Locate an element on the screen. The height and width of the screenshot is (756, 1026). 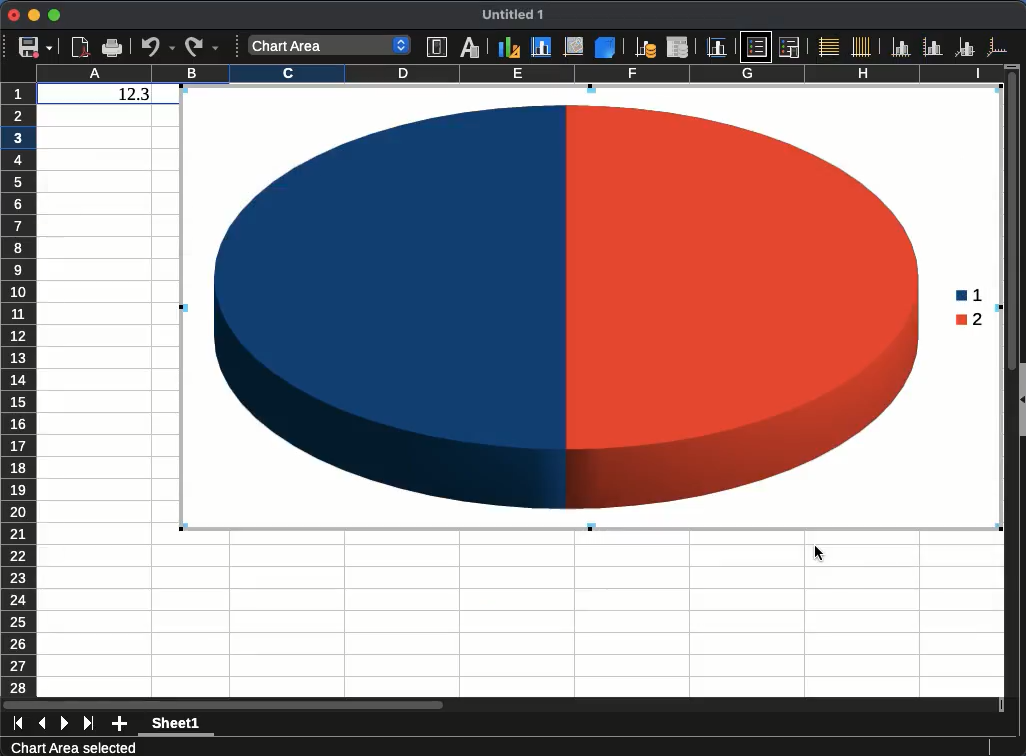
Character is located at coordinates (470, 46).